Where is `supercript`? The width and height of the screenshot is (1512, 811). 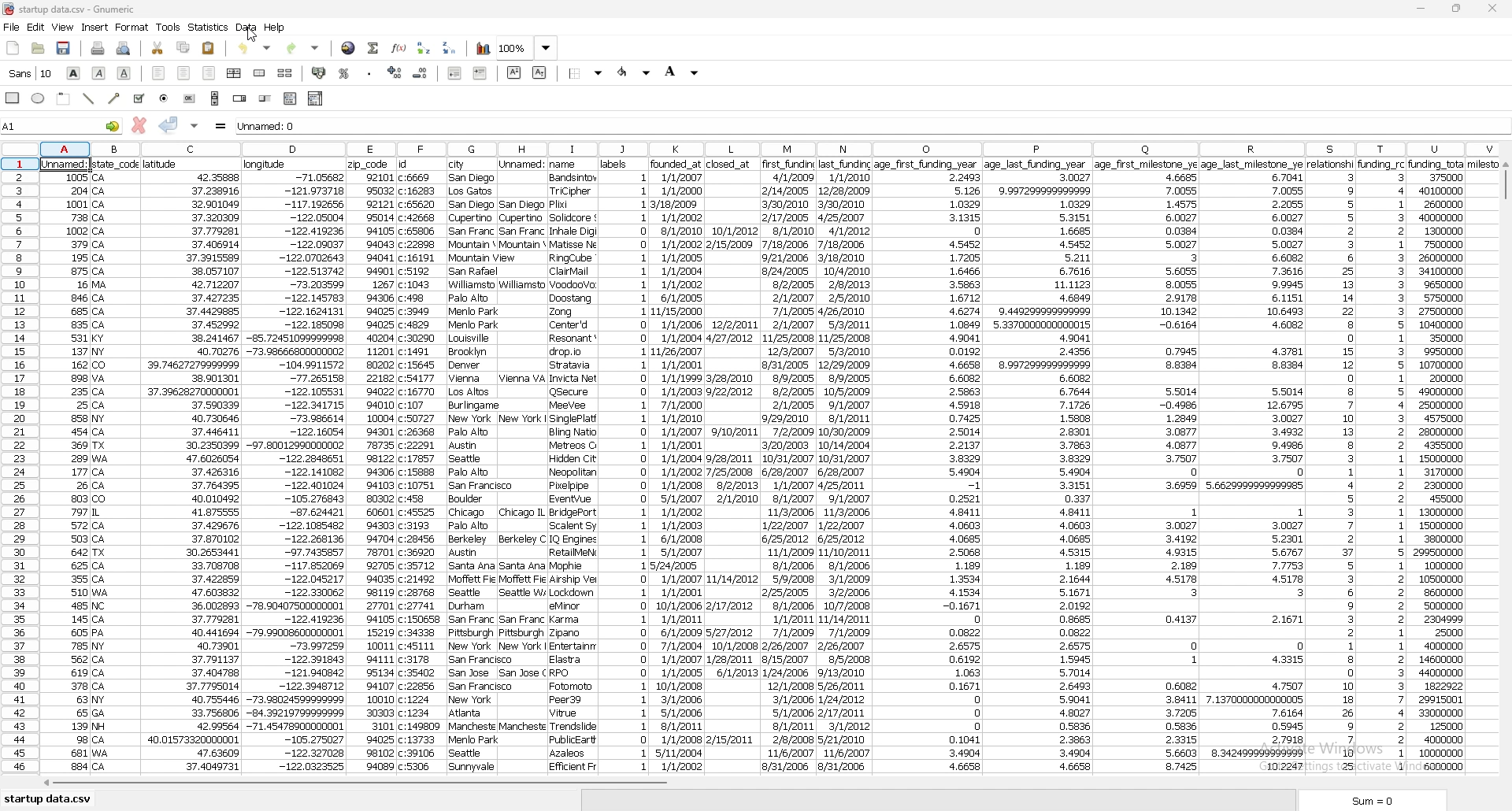
supercript is located at coordinates (514, 72).